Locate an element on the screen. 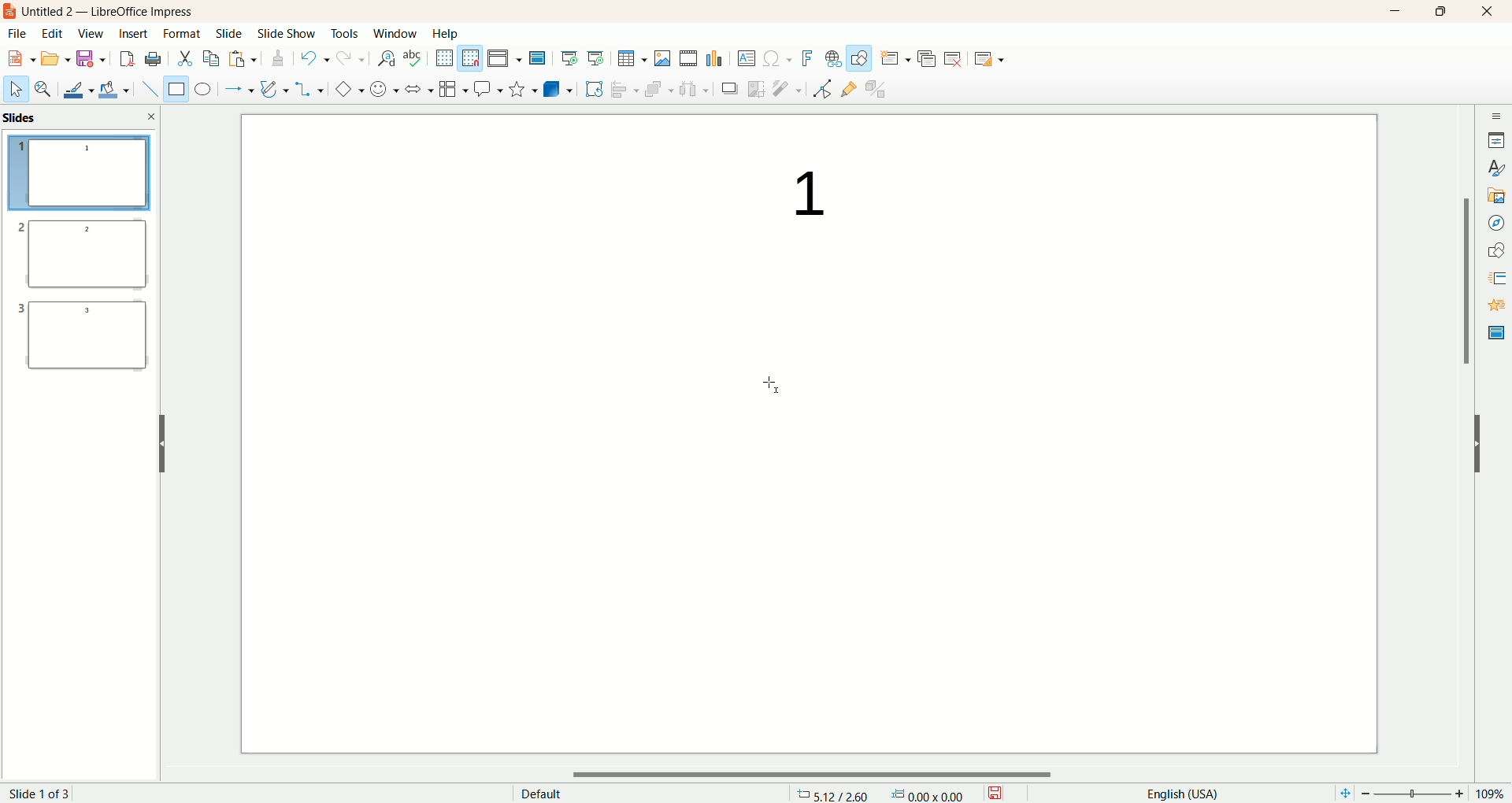 The width and height of the screenshot is (1512, 803). horizontal scroll bar is located at coordinates (818, 775).